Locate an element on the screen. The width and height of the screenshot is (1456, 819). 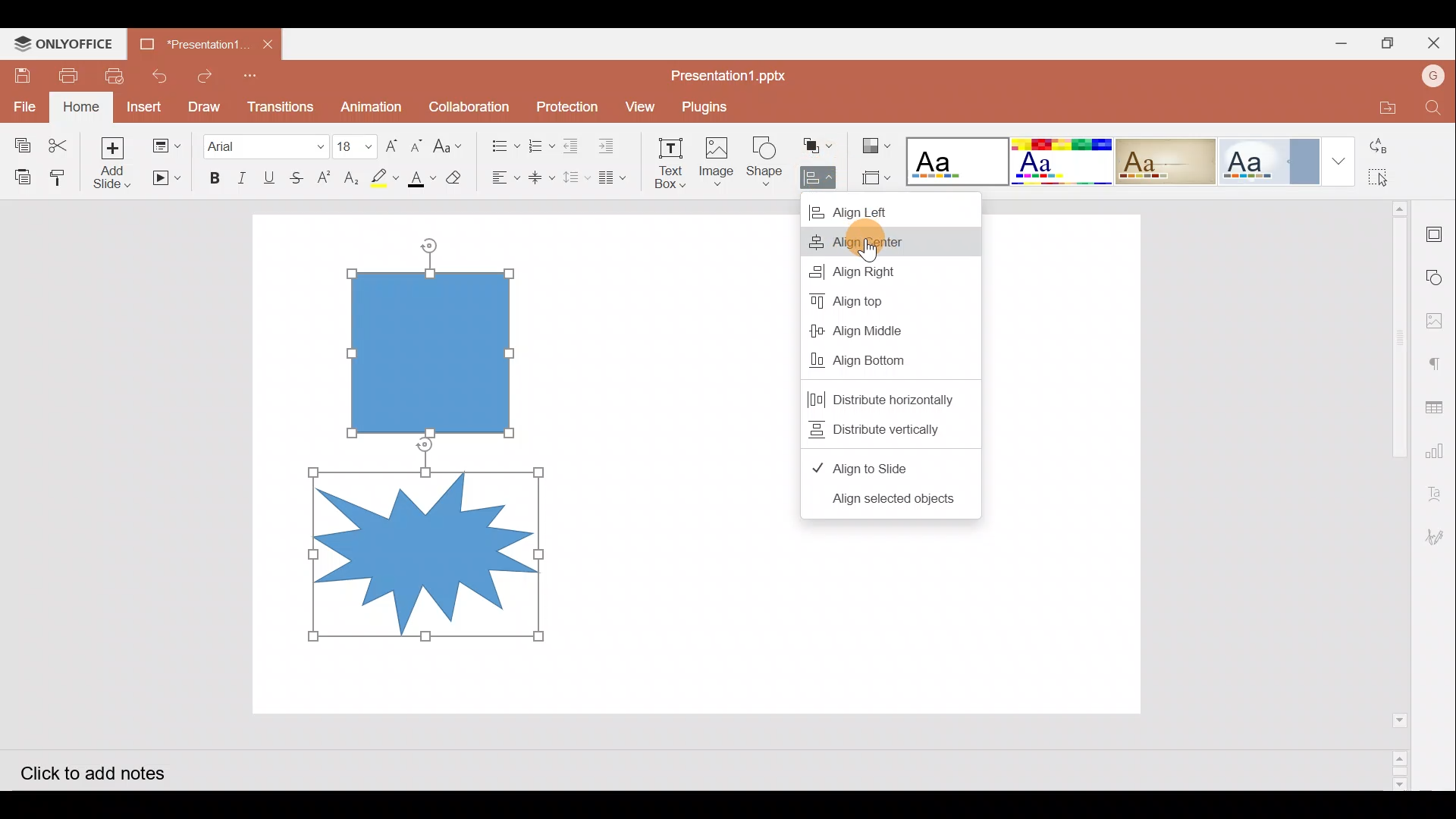
Align left is located at coordinates (889, 206).